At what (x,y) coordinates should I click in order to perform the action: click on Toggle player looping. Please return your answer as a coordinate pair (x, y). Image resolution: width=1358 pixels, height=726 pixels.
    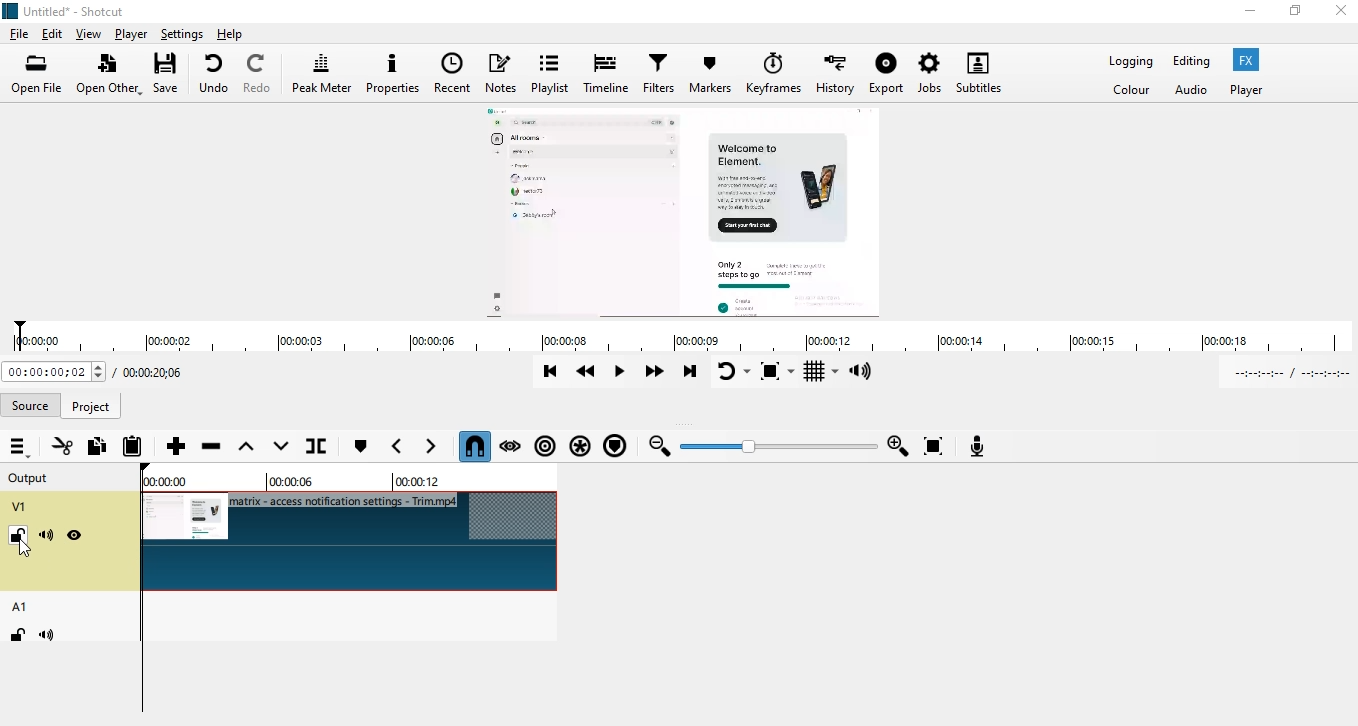
    Looking at the image, I should click on (733, 372).